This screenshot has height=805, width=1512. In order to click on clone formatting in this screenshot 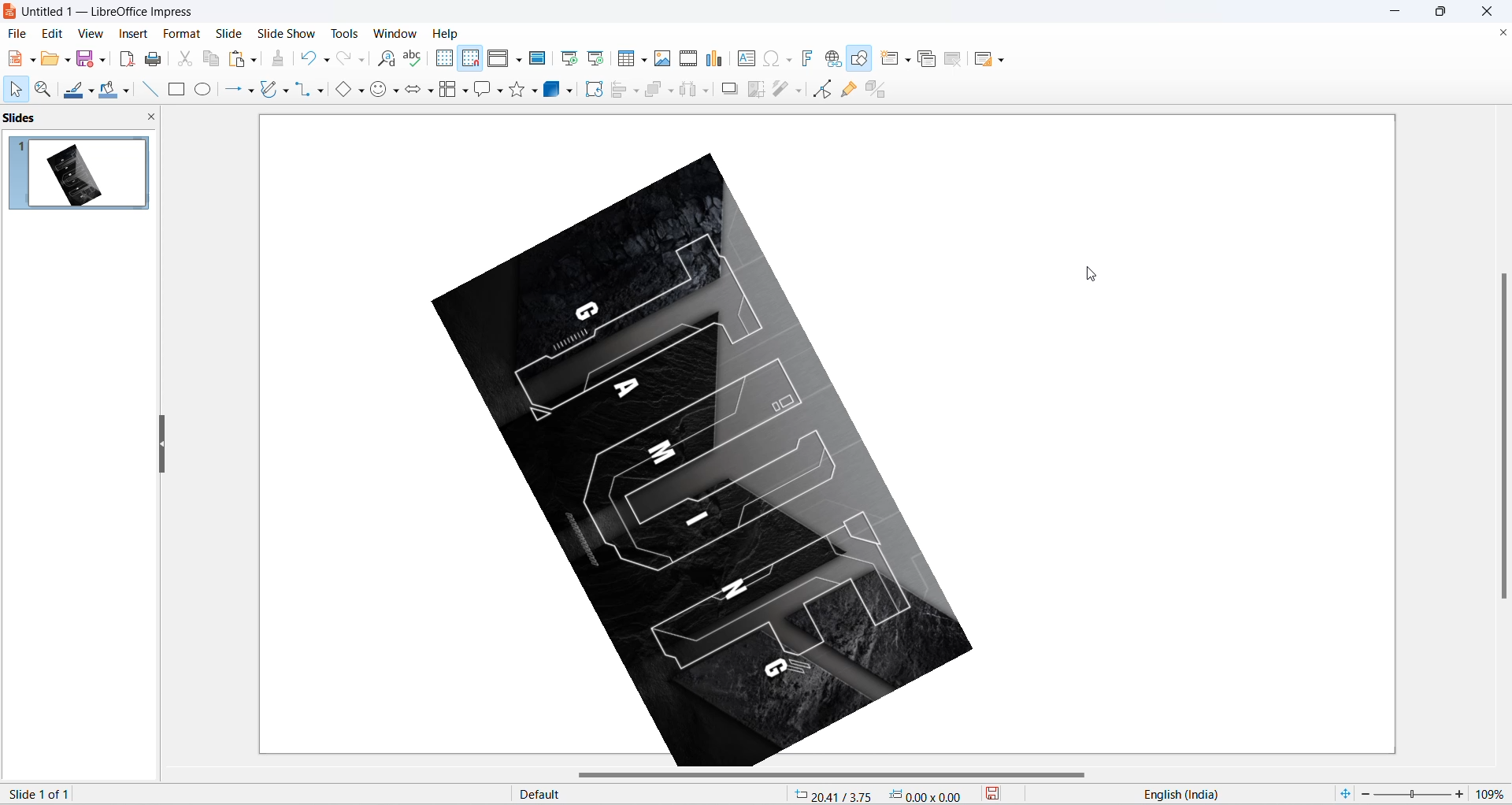, I will do `click(282, 60)`.